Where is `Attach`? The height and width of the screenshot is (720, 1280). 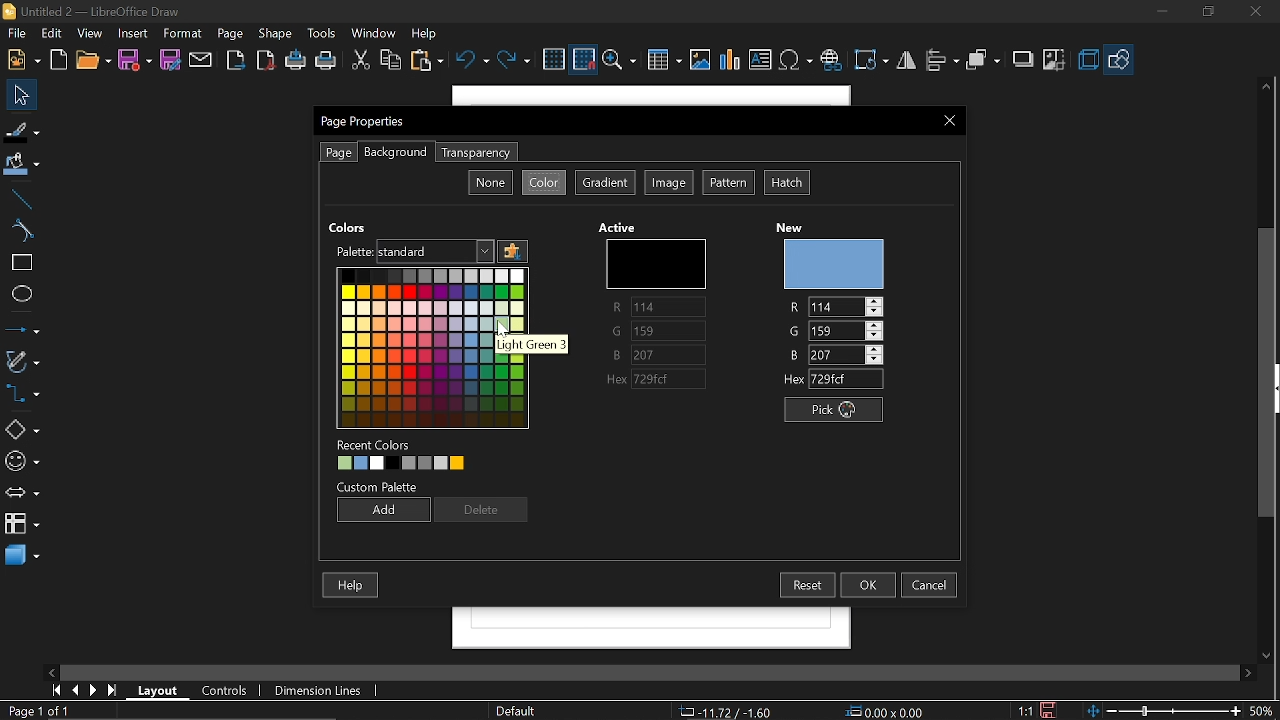
Attach is located at coordinates (202, 59).